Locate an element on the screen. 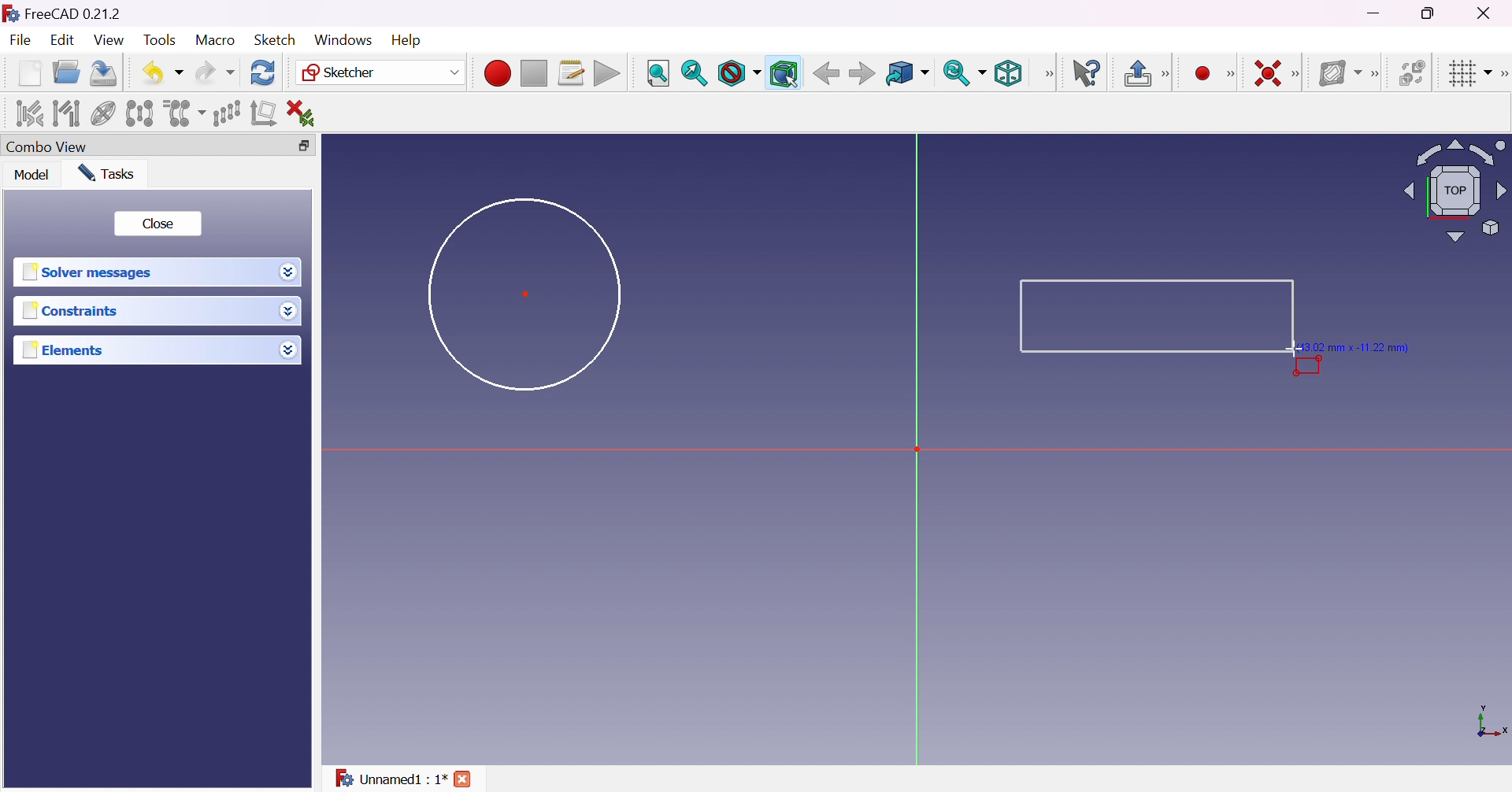 The height and width of the screenshot is (792, 1512). close is located at coordinates (465, 779).